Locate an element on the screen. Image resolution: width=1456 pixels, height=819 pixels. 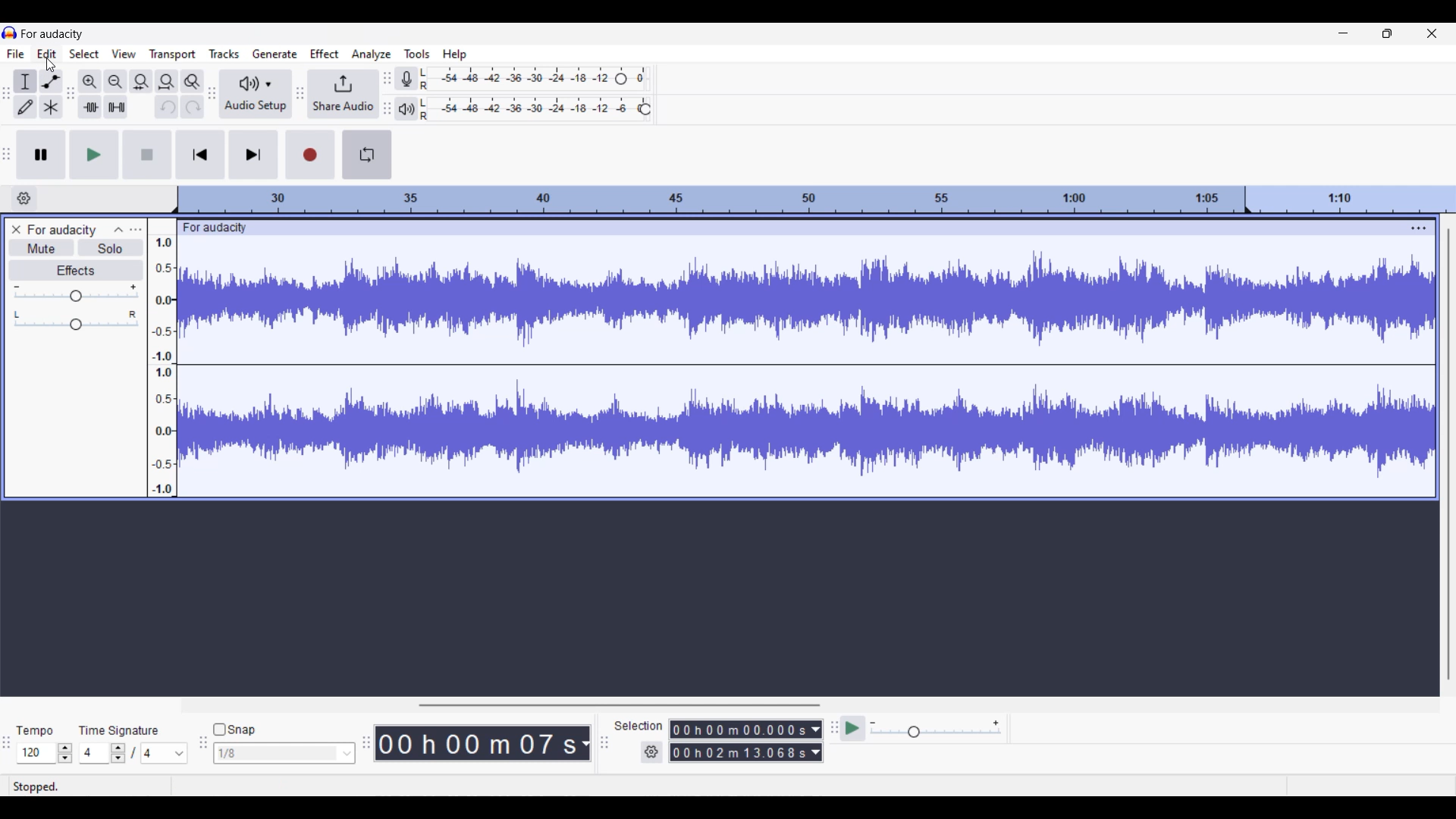
Playback level header is located at coordinates (645, 109).